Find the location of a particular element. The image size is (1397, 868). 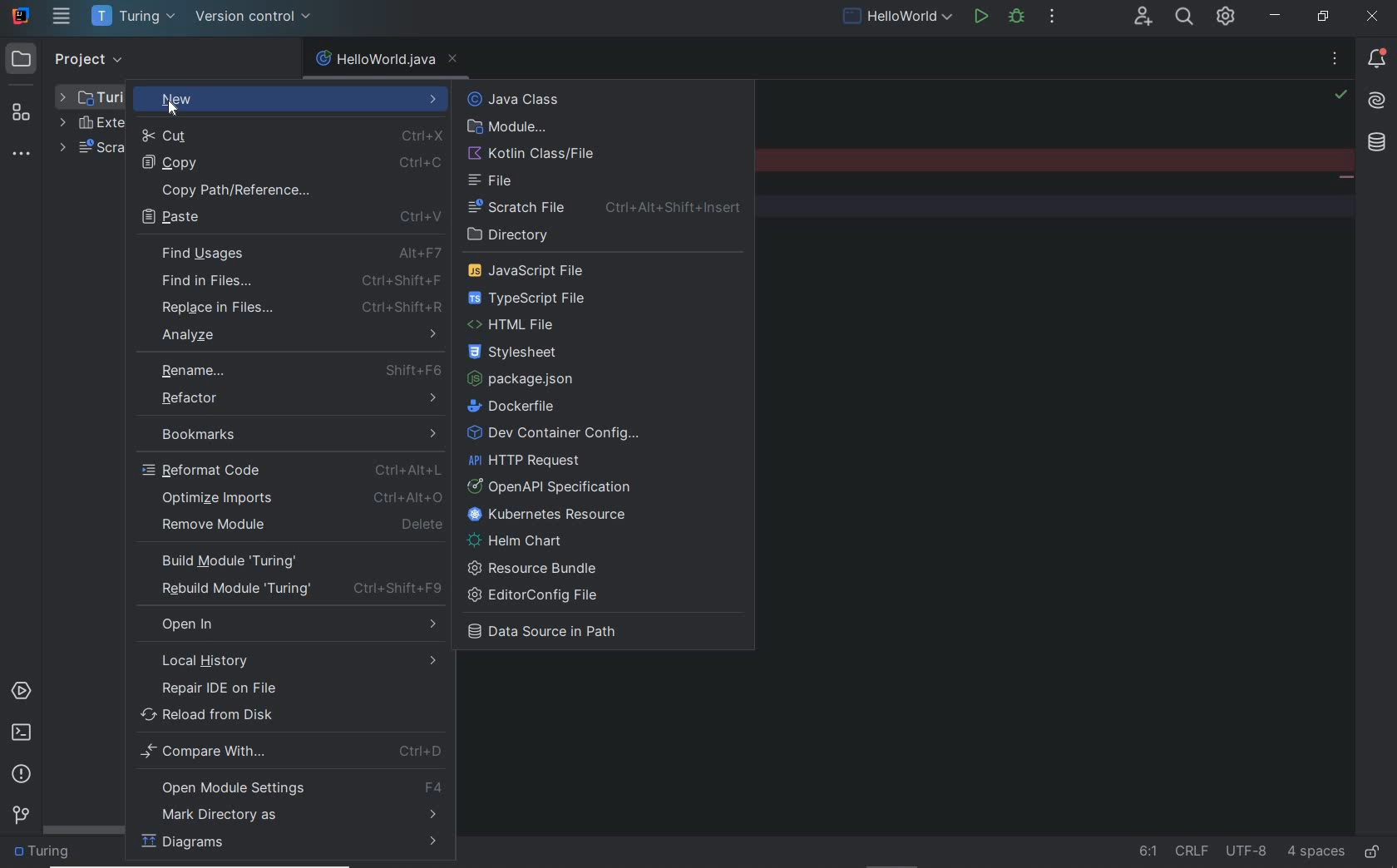

code with me is located at coordinates (1143, 17).